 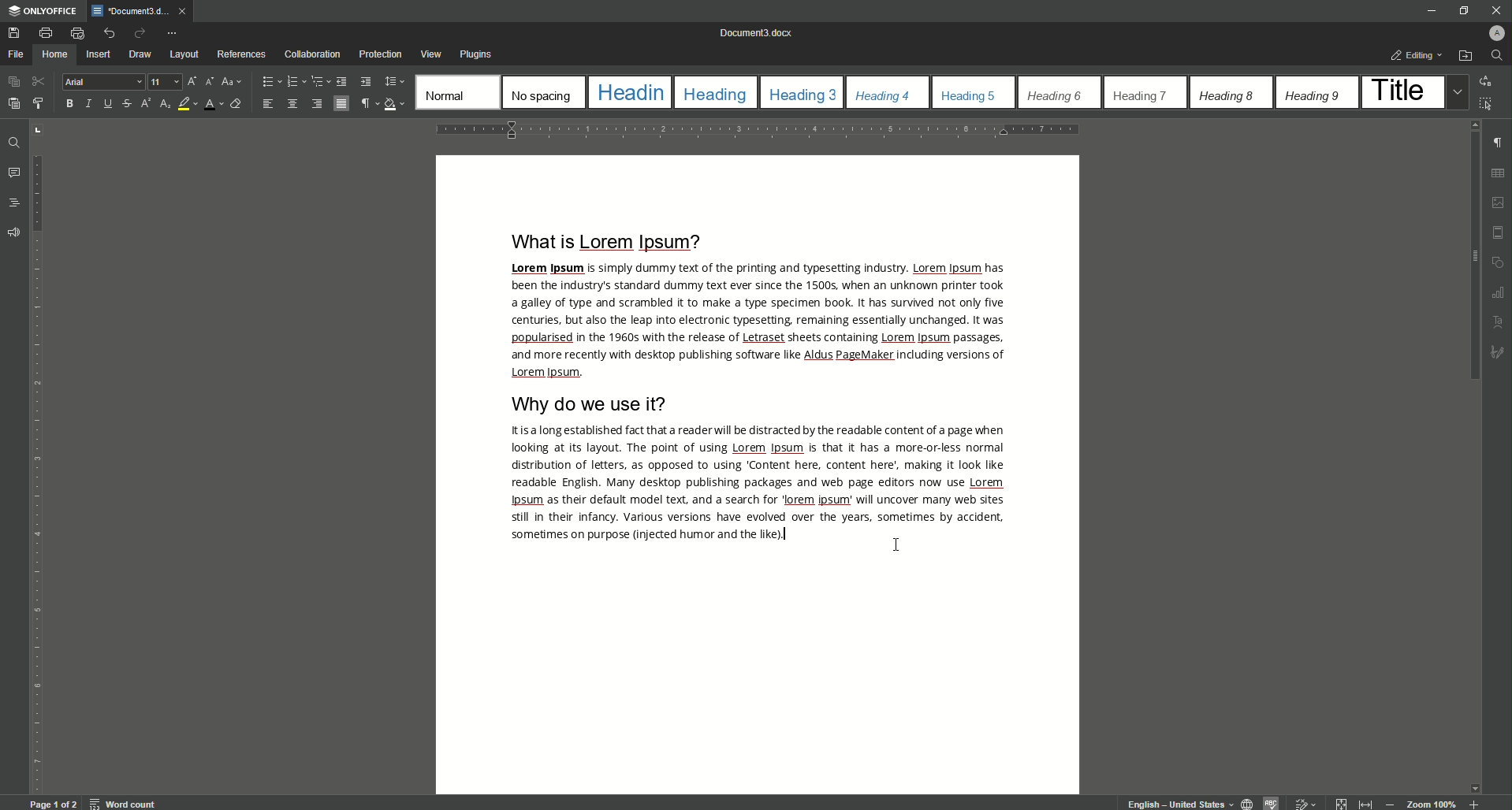 What do you see at coordinates (293, 104) in the screenshot?
I see `Align Center` at bounding box center [293, 104].